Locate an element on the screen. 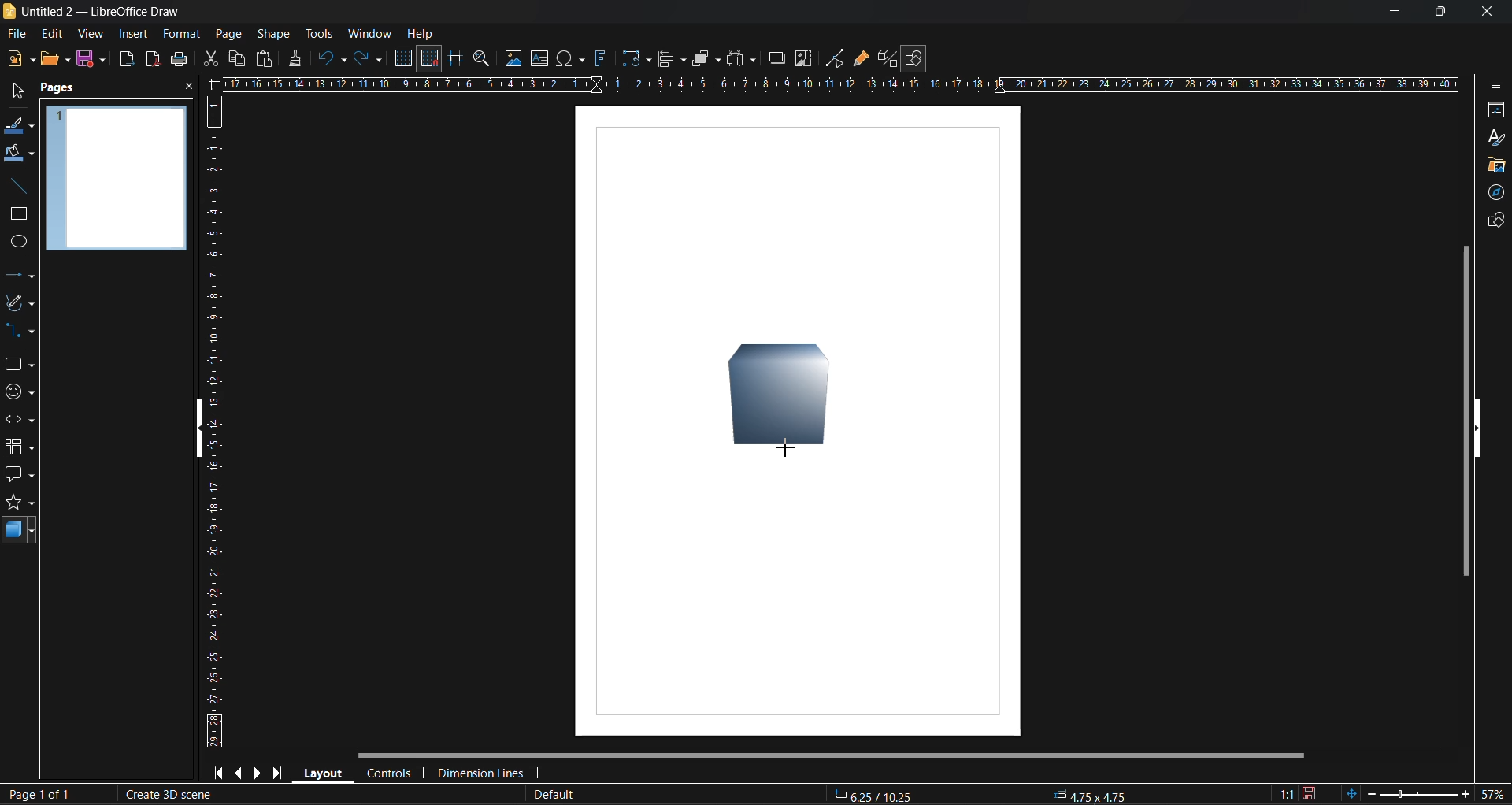 This screenshot has height=805, width=1512. shape is located at coordinates (277, 33).